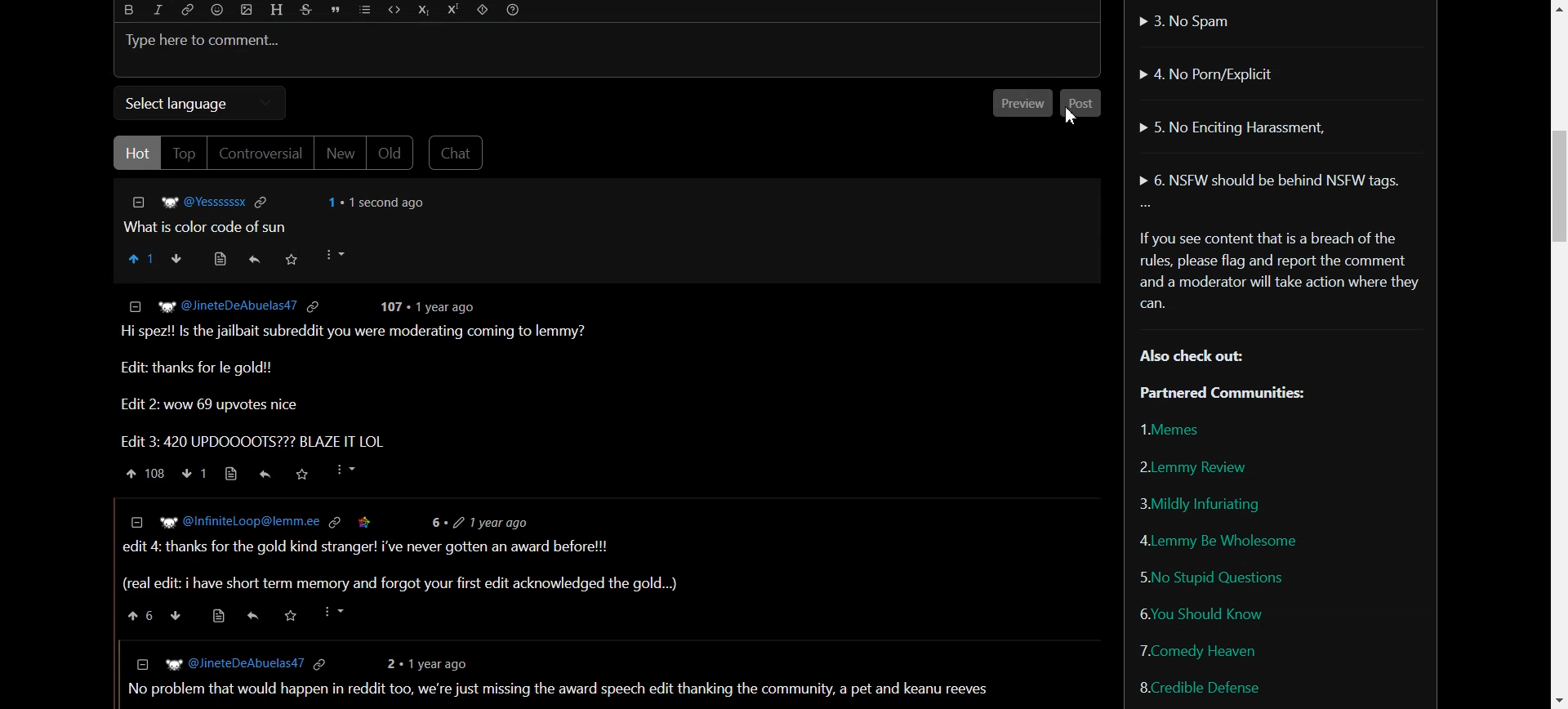 The height and width of the screenshot is (709, 1568). What do you see at coordinates (1279, 311) in the screenshot?
I see `Text` at bounding box center [1279, 311].